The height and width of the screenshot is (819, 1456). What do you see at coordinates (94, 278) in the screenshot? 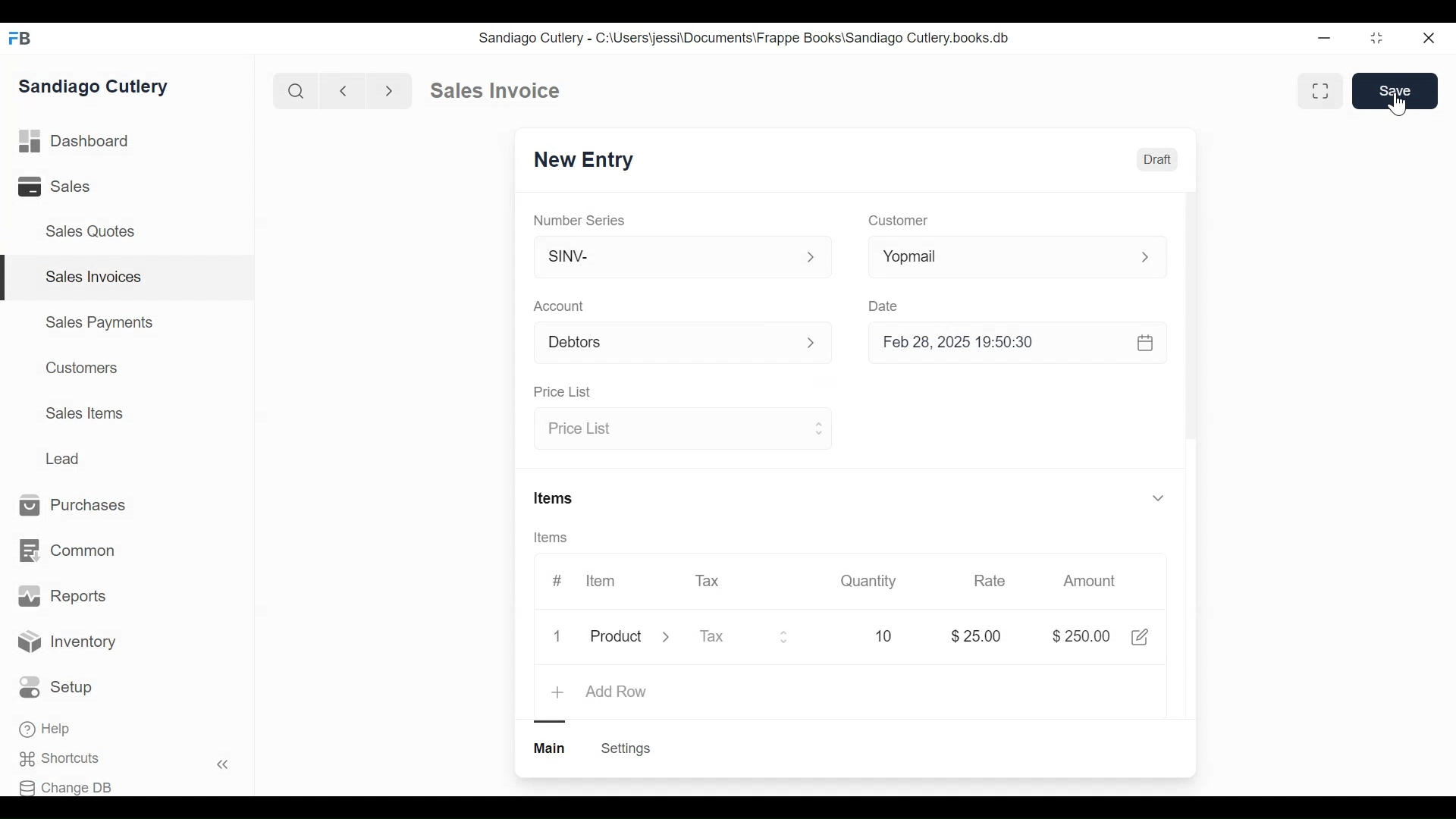
I see `Sales Invoices` at bounding box center [94, 278].